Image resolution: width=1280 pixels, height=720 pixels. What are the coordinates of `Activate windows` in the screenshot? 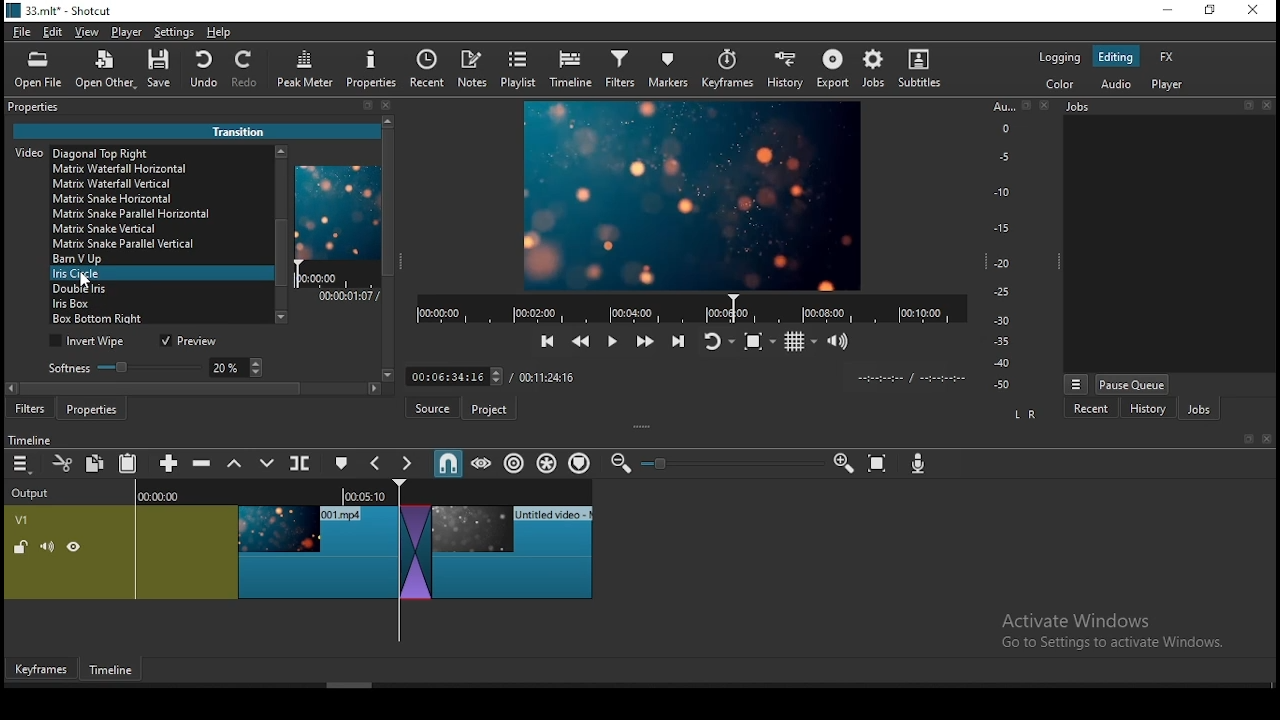 It's located at (1122, 630).